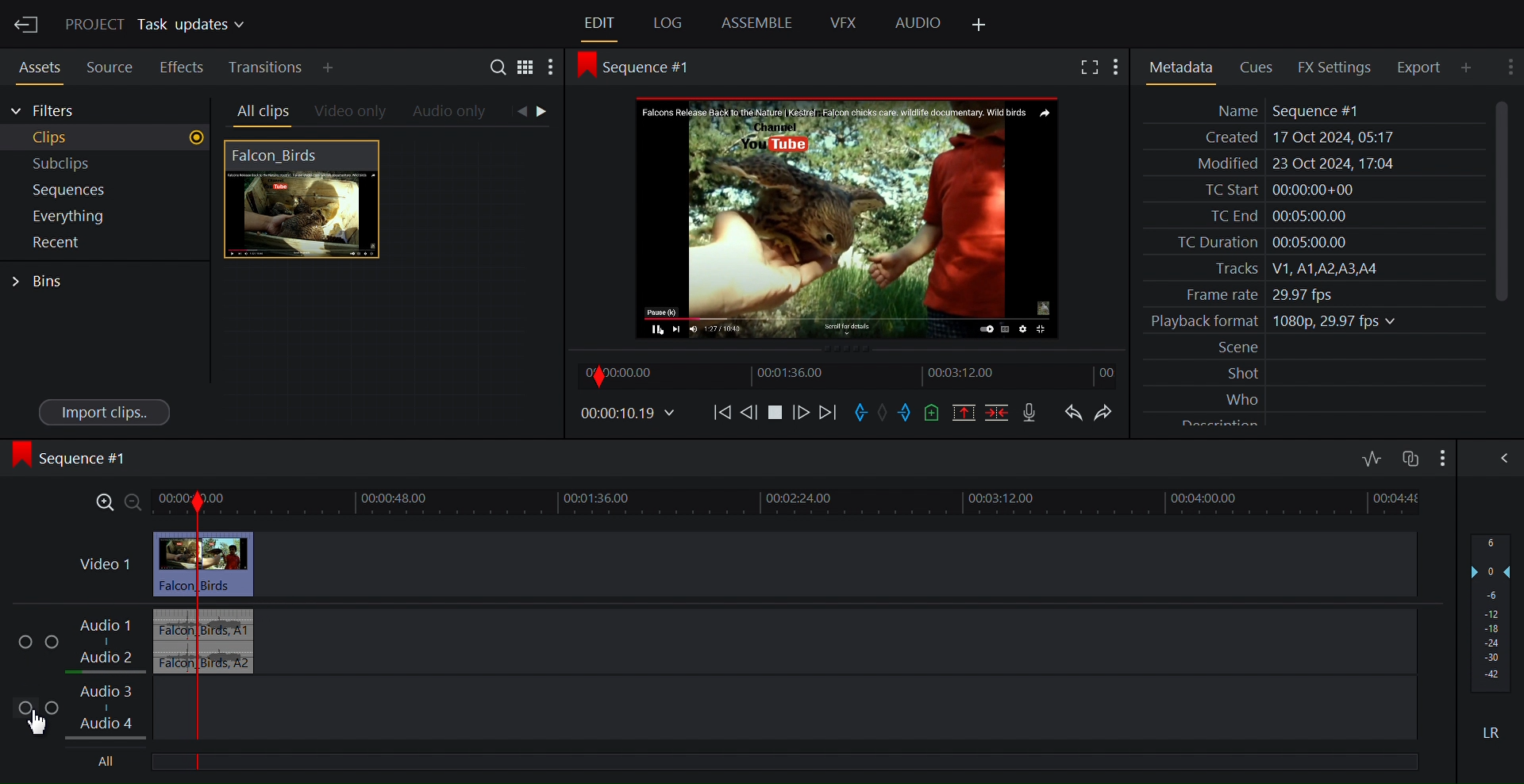 The width and height of the screenshot is (1524, 784). I want to click on Audio 3, so click(106, 698).